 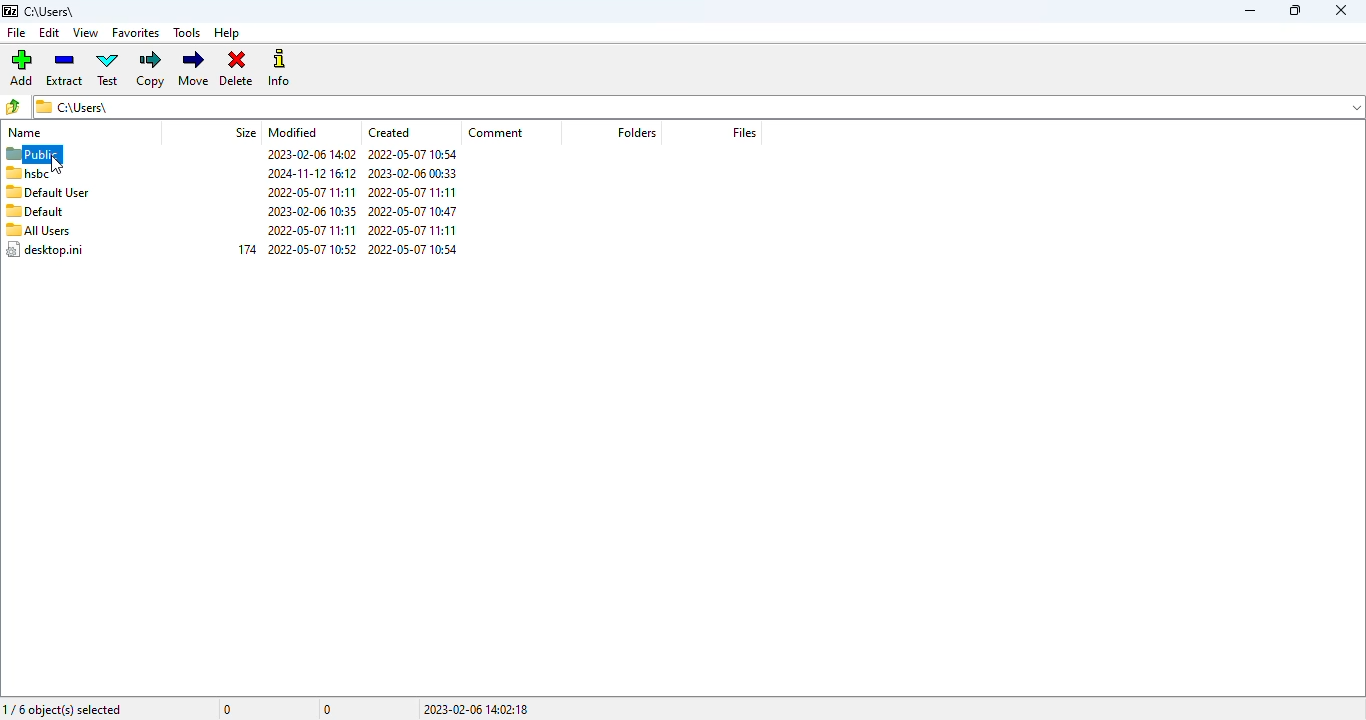 I want to click on delete, so click(x=237, y=67).